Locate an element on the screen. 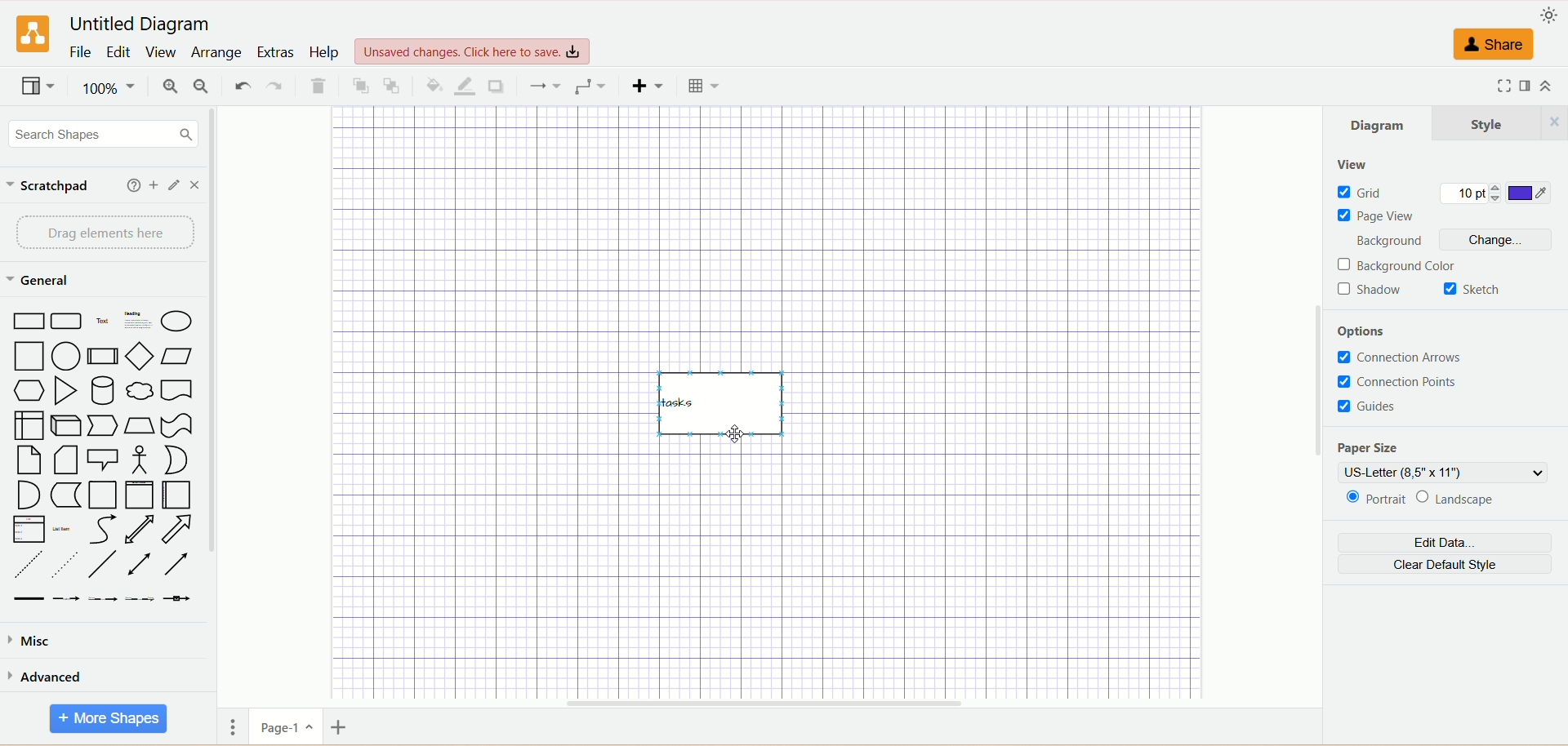 The height and width of the screenshot is (746, 1568). Curved Rectangle is located at coordinates (68, 322).